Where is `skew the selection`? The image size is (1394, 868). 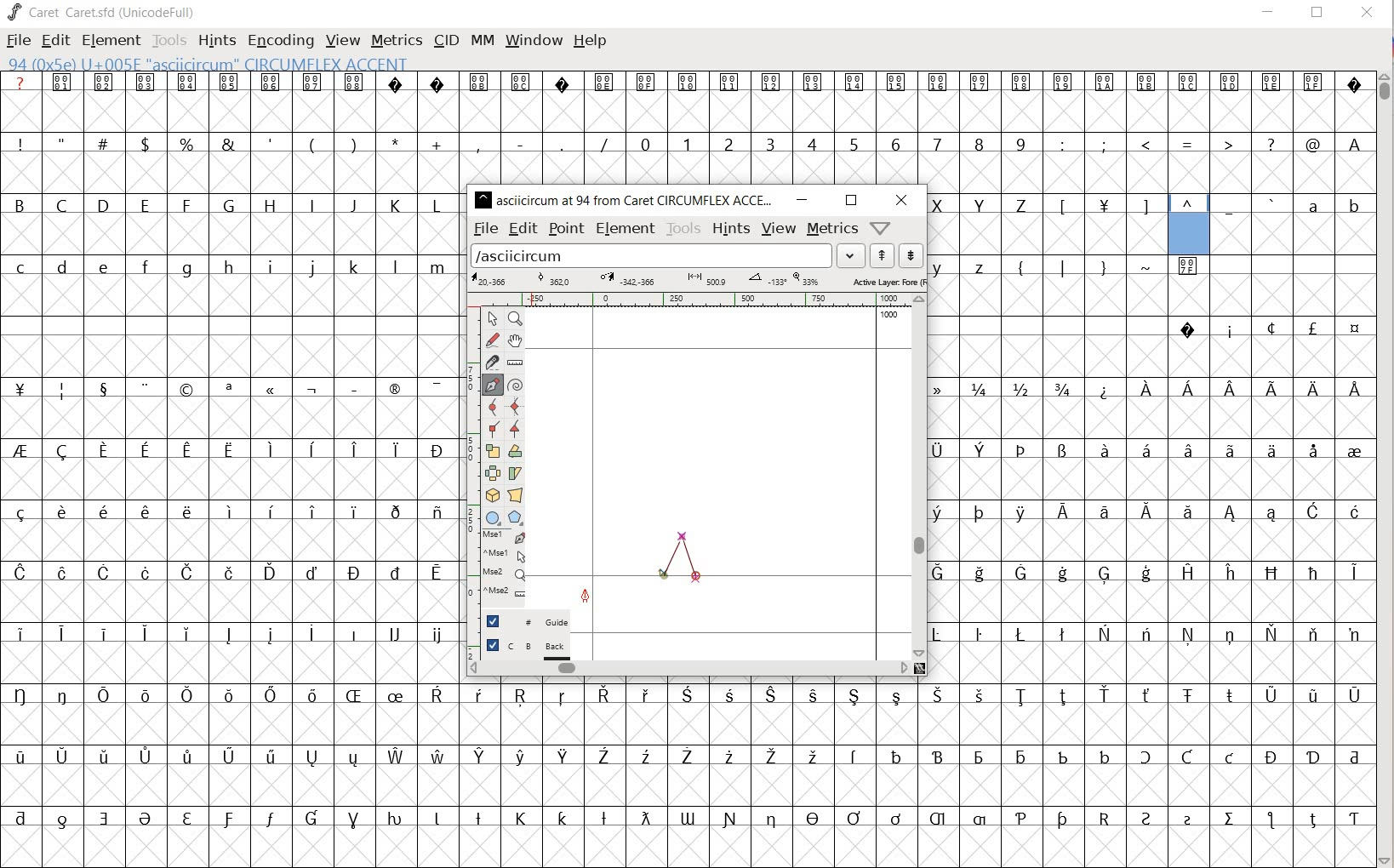
skew the selection is located at coordinates (515, 474).